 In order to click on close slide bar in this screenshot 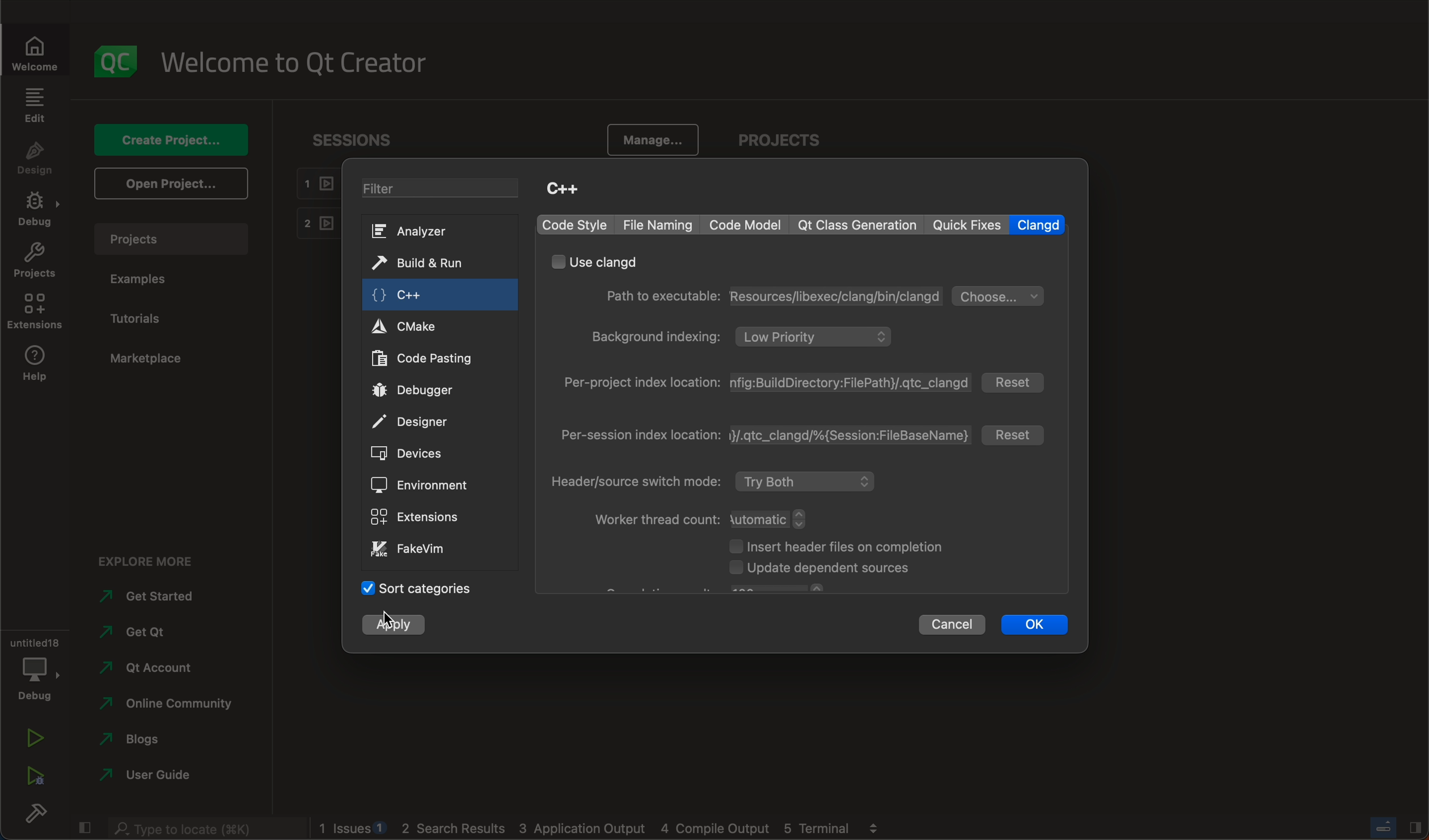, I will do `click(82, 828)`.